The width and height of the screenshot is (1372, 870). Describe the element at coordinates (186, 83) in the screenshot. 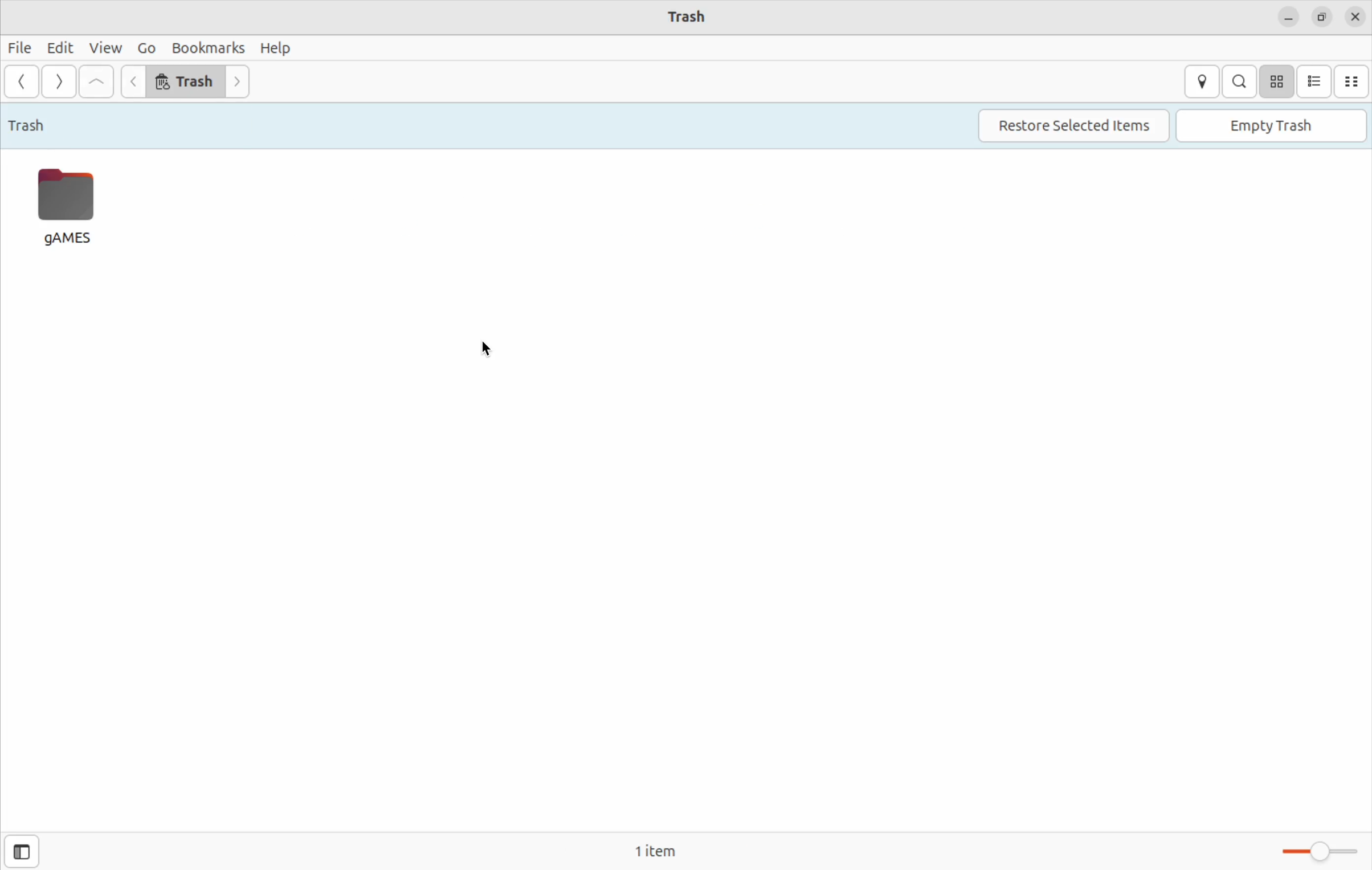

I see `trash` at that location.